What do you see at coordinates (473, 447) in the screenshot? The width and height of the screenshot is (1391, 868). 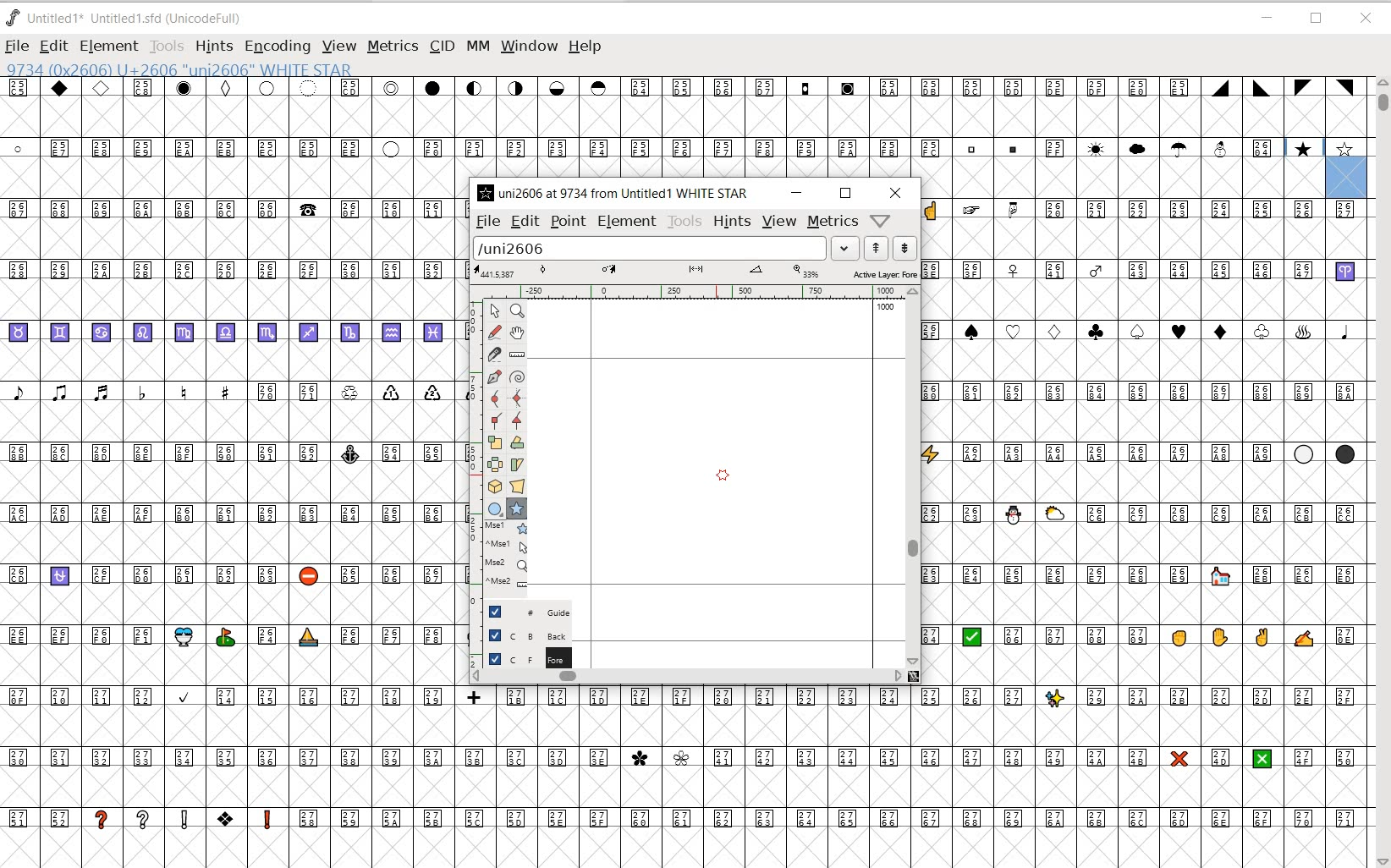 I see `SCALE` at bounding box center [473, 447].